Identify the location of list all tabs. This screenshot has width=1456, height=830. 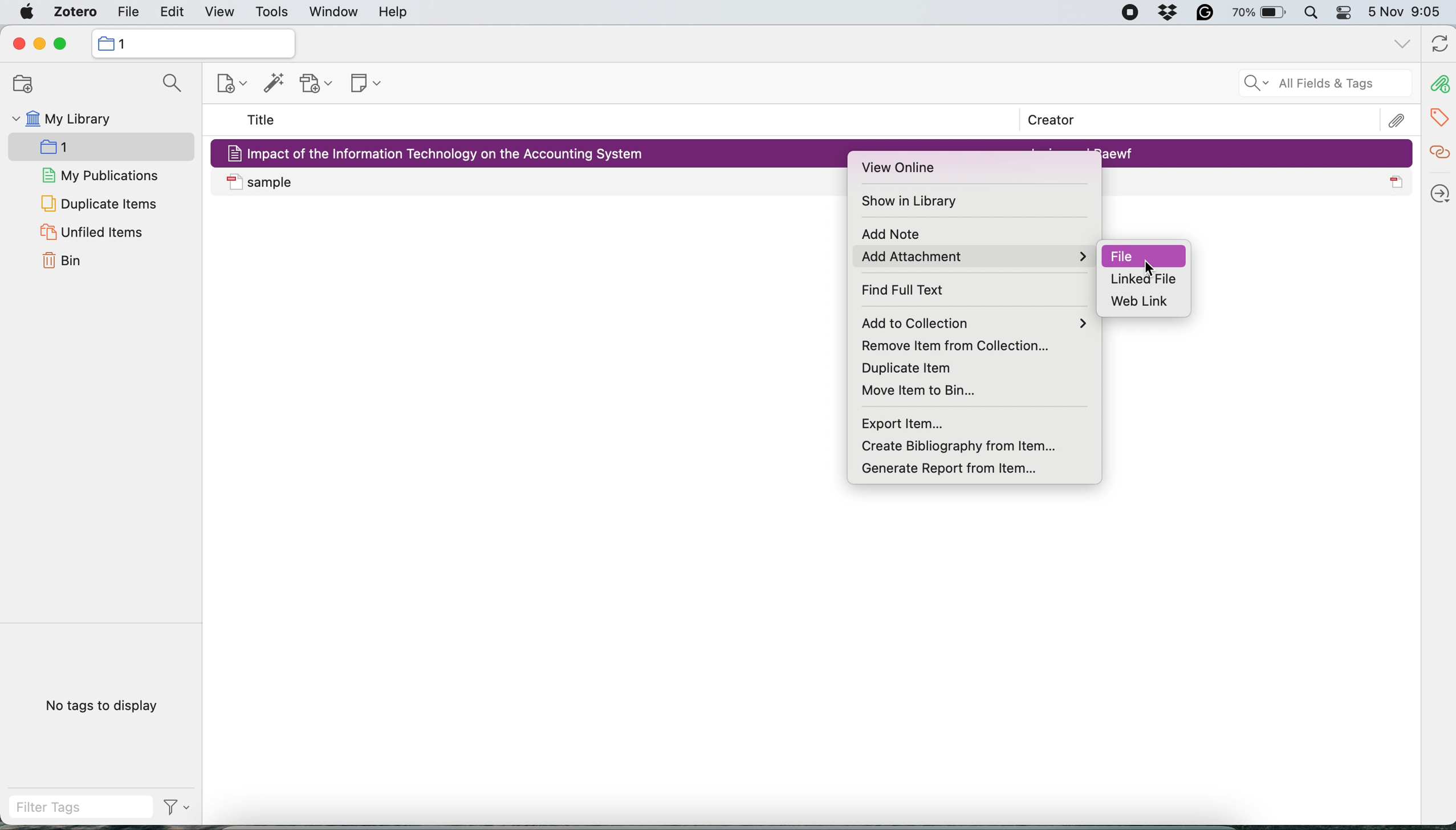
(1400, 44).